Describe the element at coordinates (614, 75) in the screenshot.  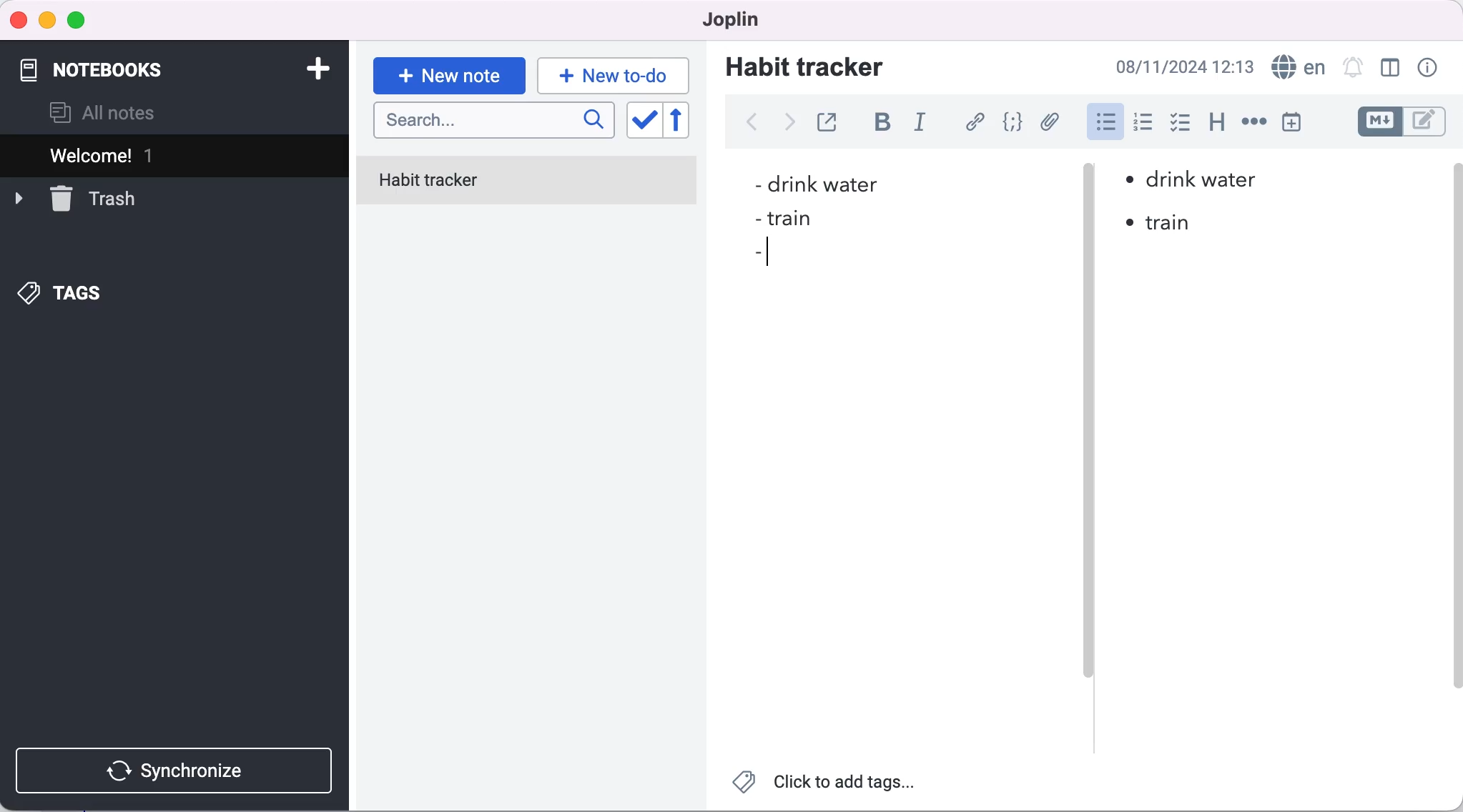
I see `typing` at that location.